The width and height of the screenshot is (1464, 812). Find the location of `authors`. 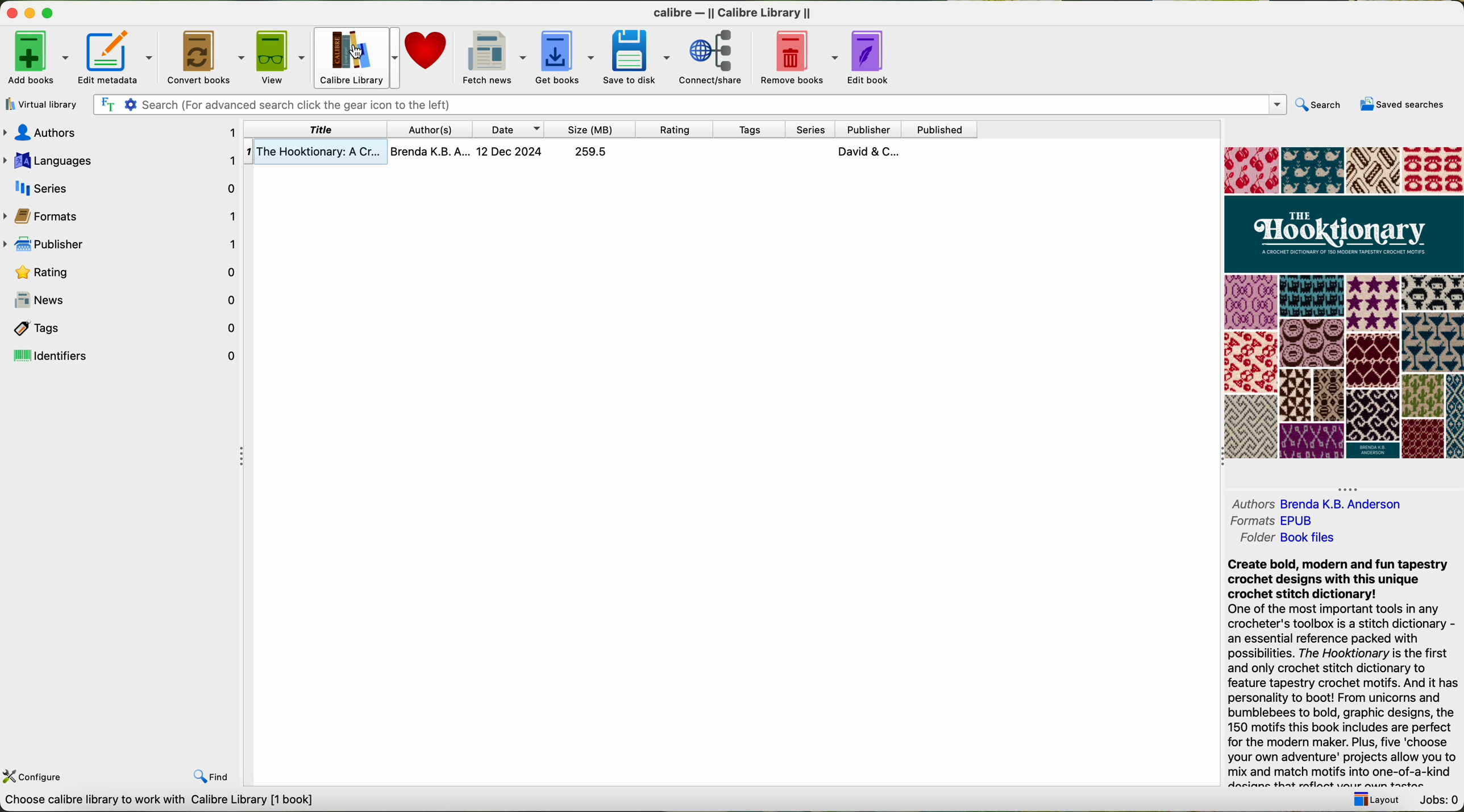

authors is located at coordinates (436, 130).